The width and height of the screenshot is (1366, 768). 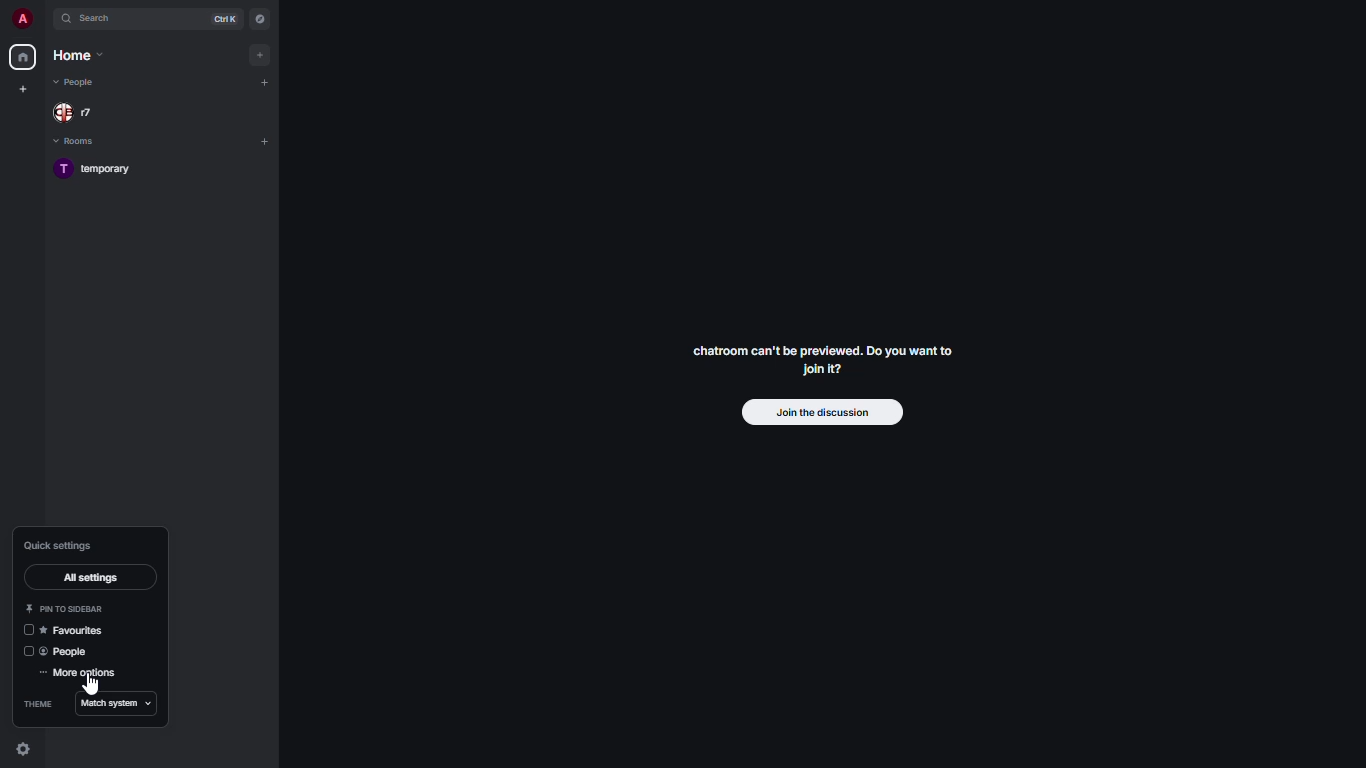 I want to click on home, so click(x=76, y=55).